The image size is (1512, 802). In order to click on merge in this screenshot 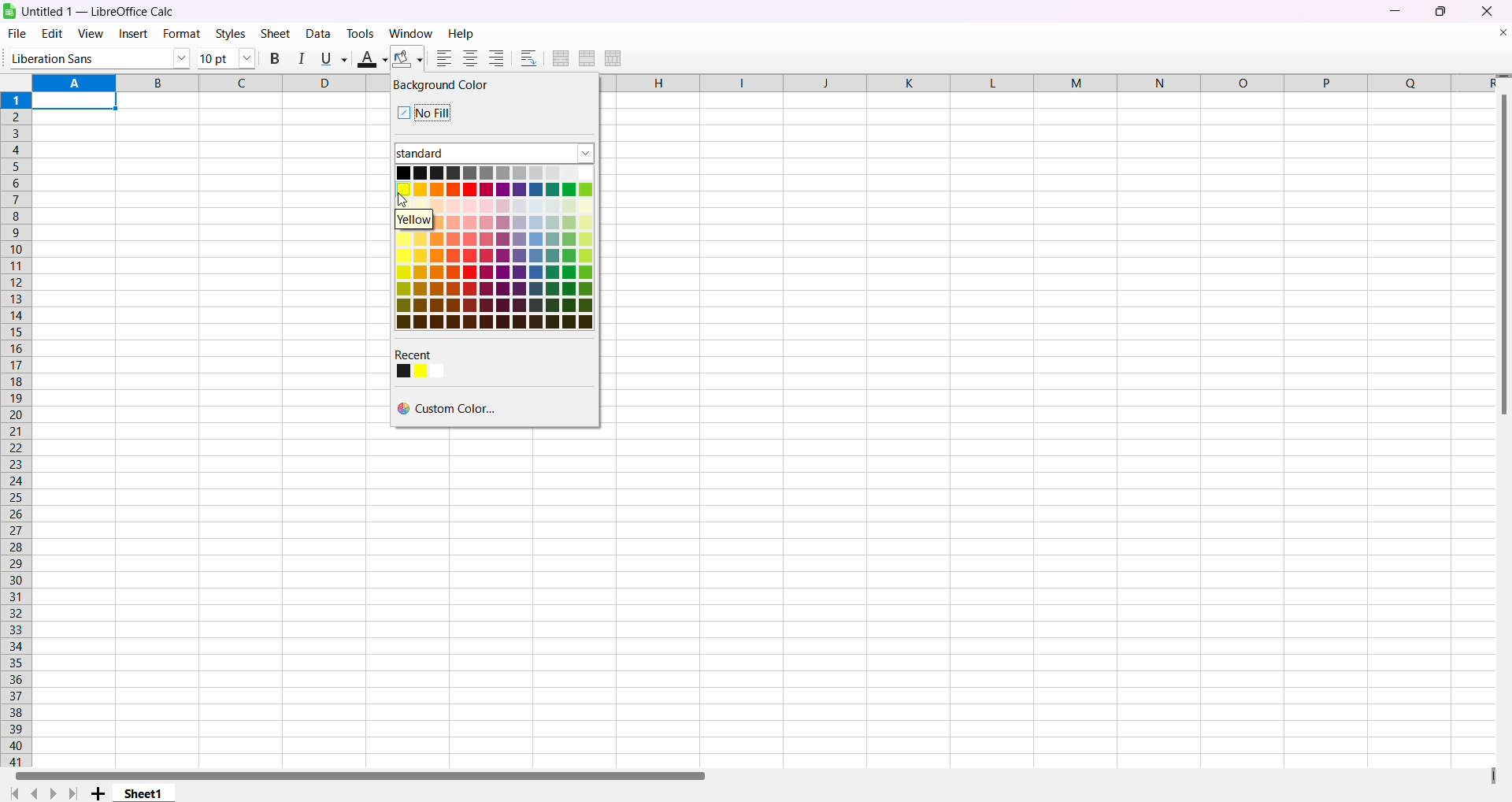, I will do `click(588, 58)`.